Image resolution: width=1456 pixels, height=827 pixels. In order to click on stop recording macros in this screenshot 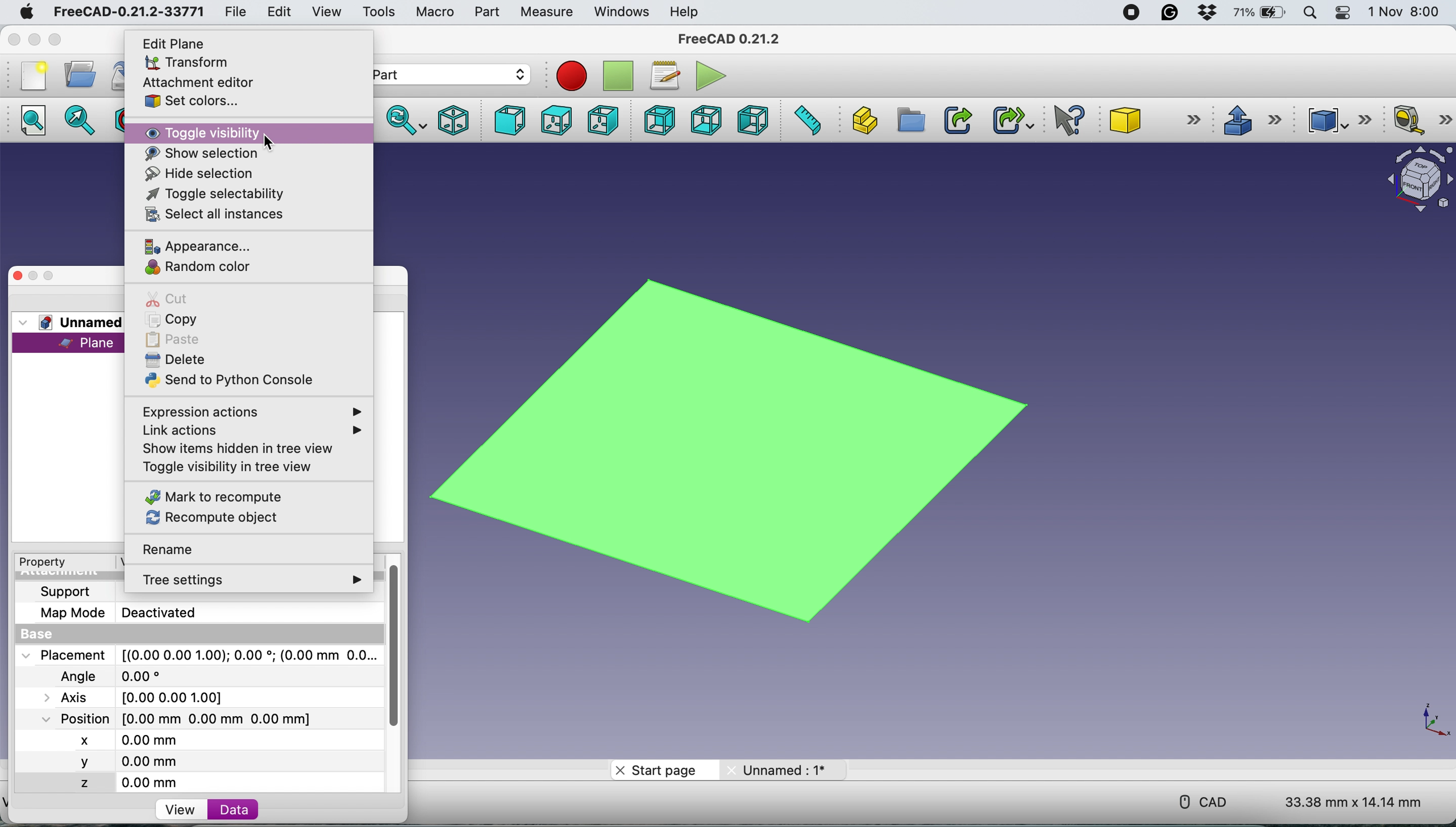, I will do `click(618, 76)`.